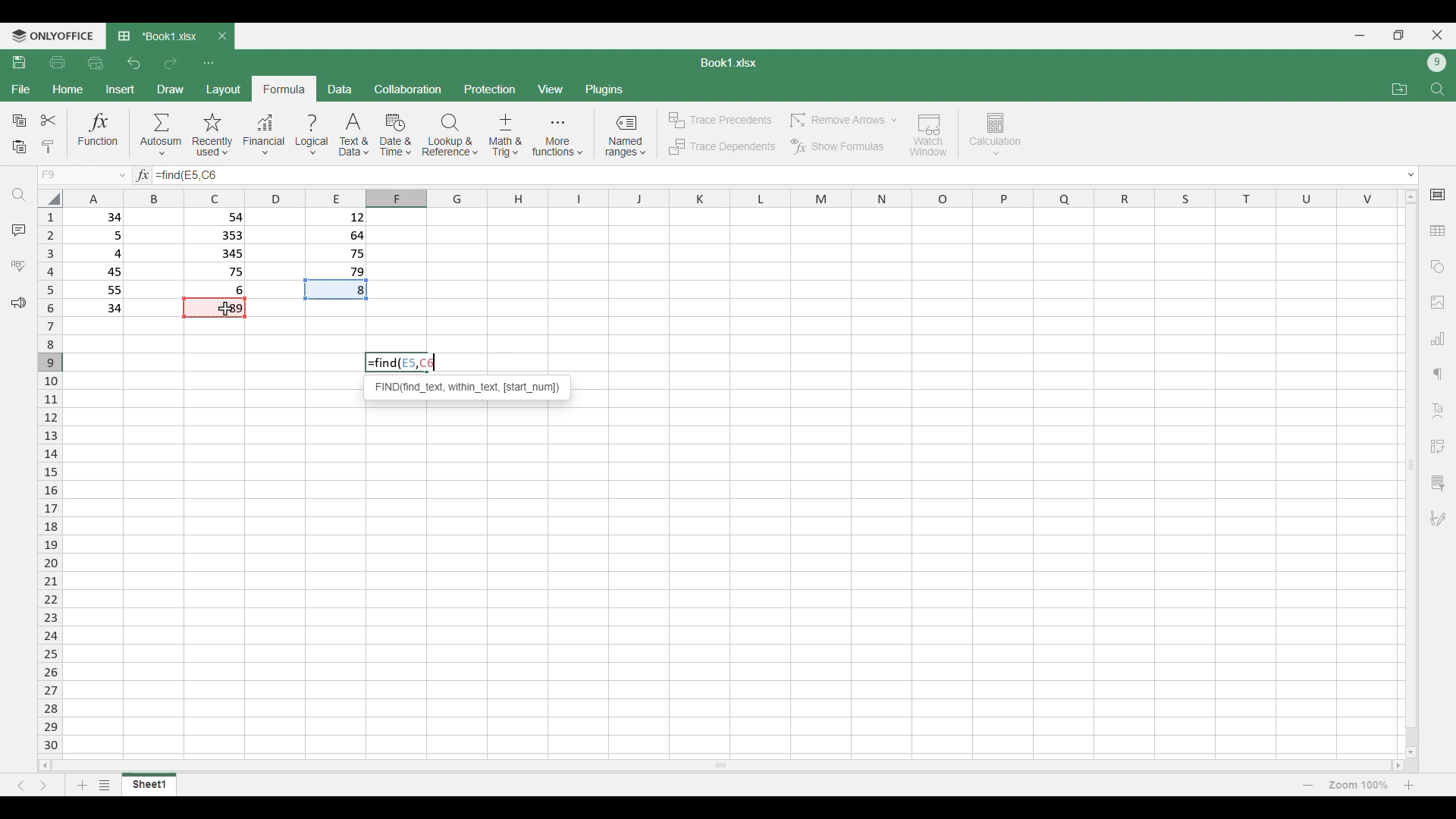  What do you see at coordinates (1438, 338) in the screenshot?
I see `Insert chart` at bounding box center [1438, 338].